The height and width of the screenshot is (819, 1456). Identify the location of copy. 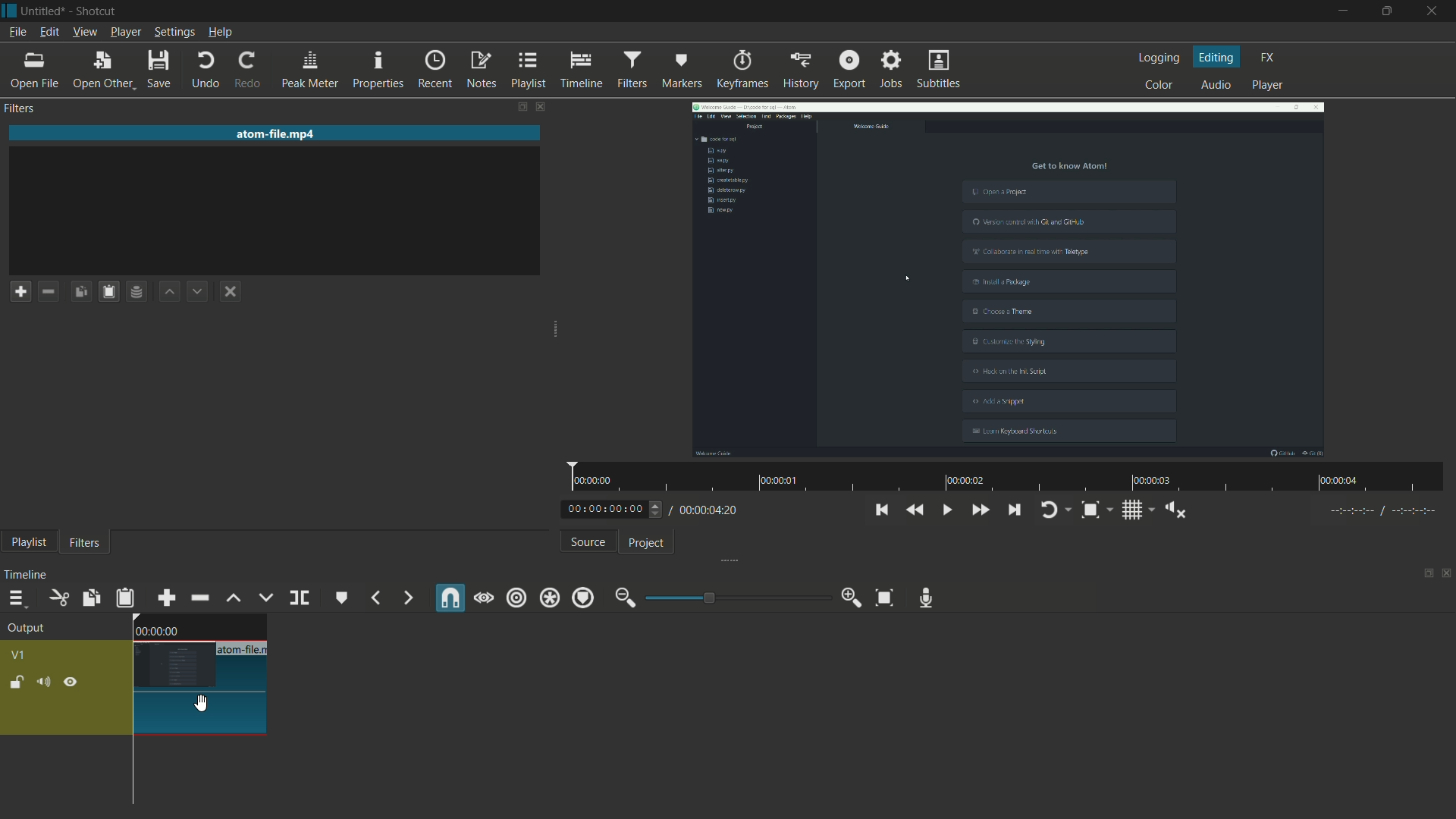
(222, 392).